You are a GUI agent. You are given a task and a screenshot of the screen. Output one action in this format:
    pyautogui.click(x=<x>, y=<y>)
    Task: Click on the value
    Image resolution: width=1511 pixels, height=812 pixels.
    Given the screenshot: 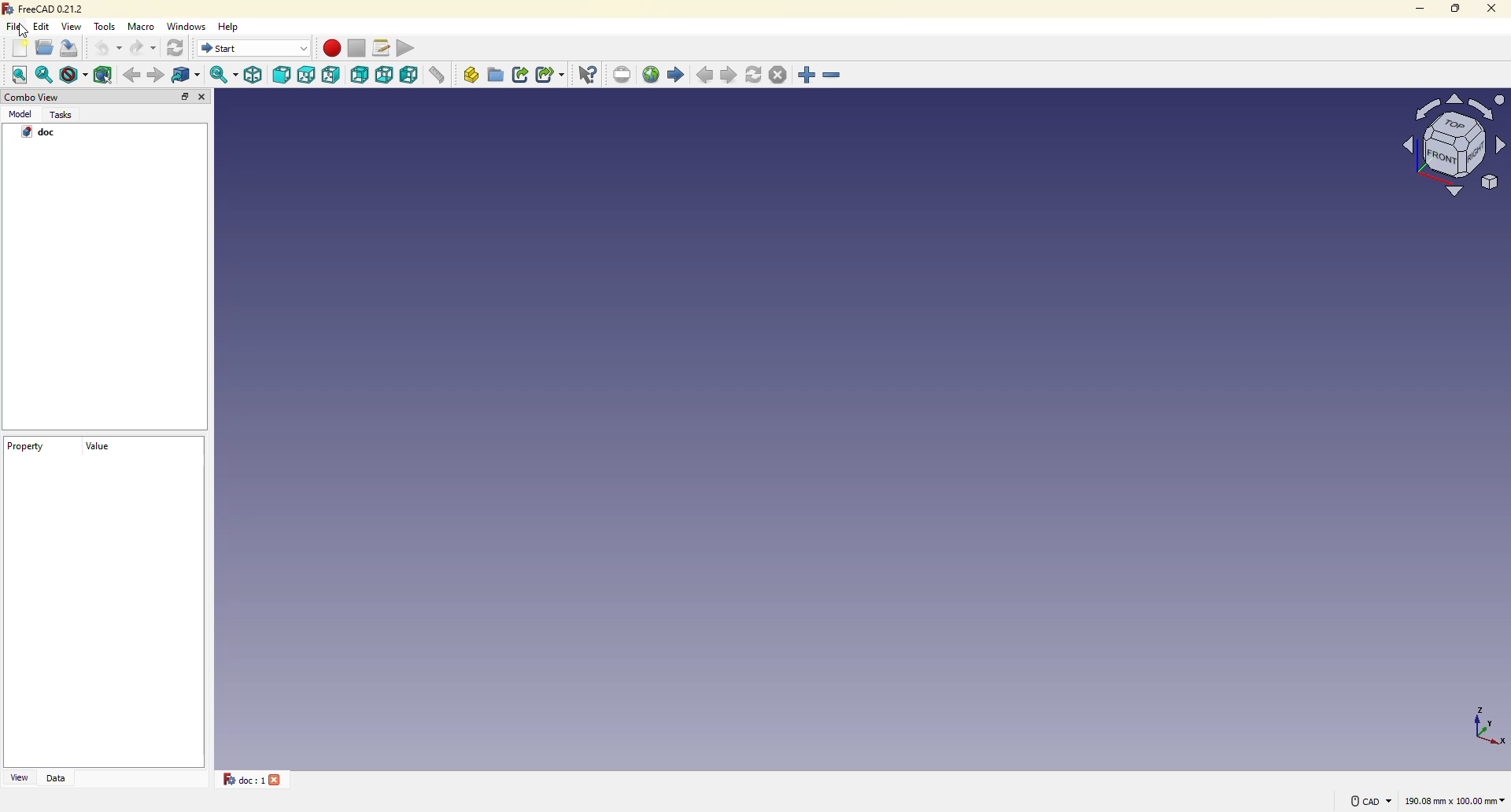 What is the action you would take?
    pyautogui.click(x=95, y=452)
    